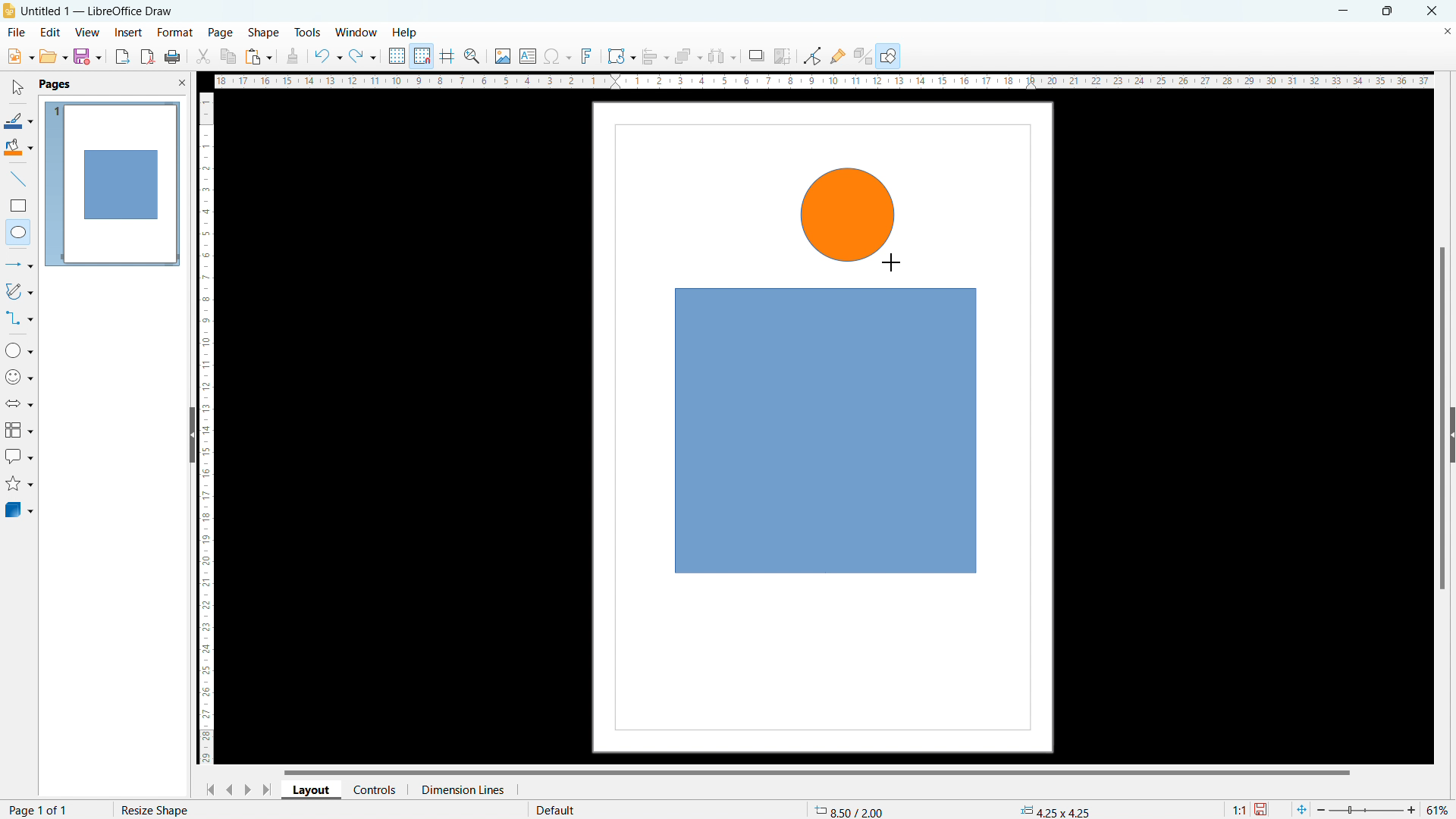 This screenshot has height=819, width=1456. Describe the element at coordinates (111, 183) in the screenshot. I see `page 1` at that location.